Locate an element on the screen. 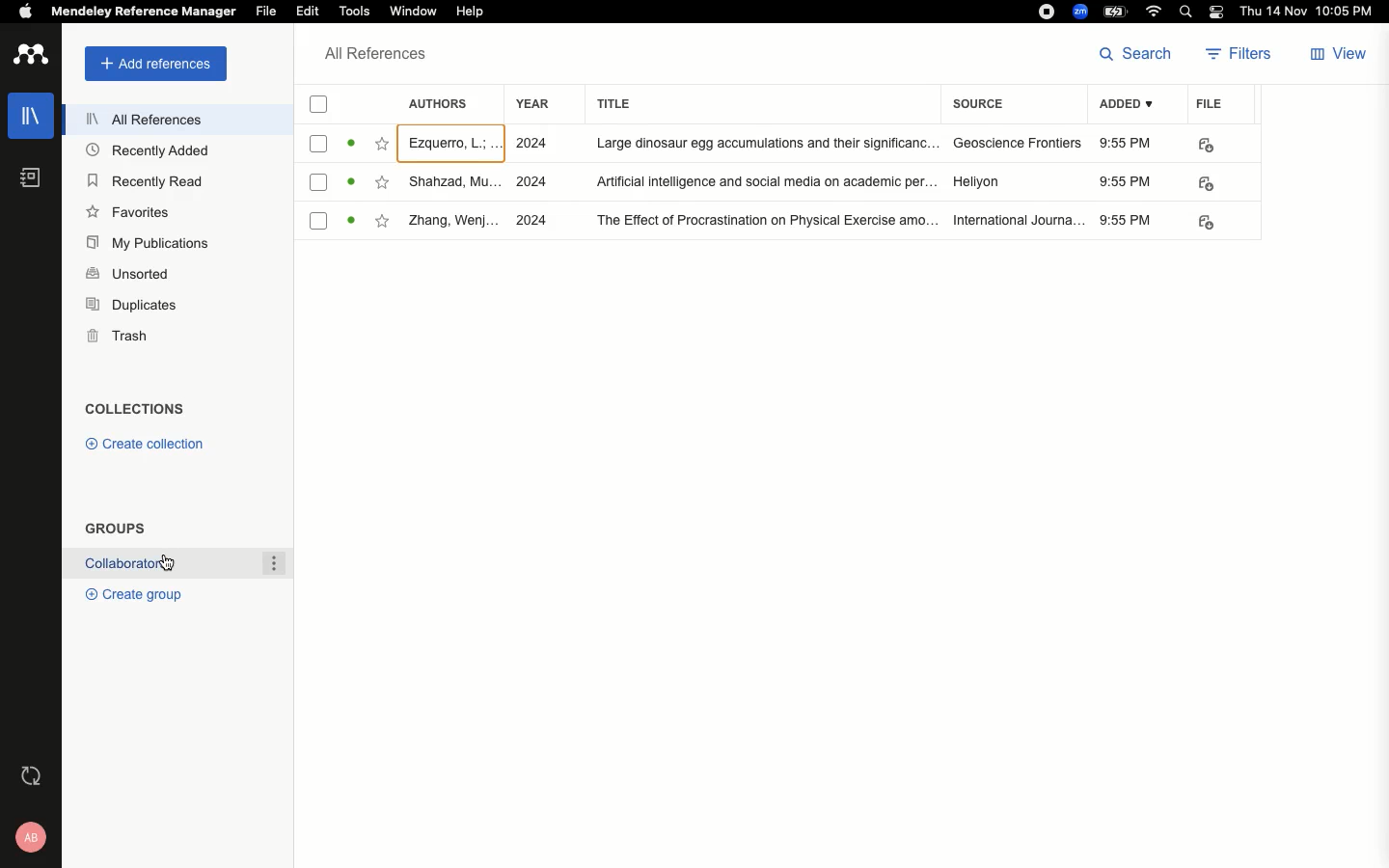 The image size is (1389, 868). All references is located at coordinates (150, 121).